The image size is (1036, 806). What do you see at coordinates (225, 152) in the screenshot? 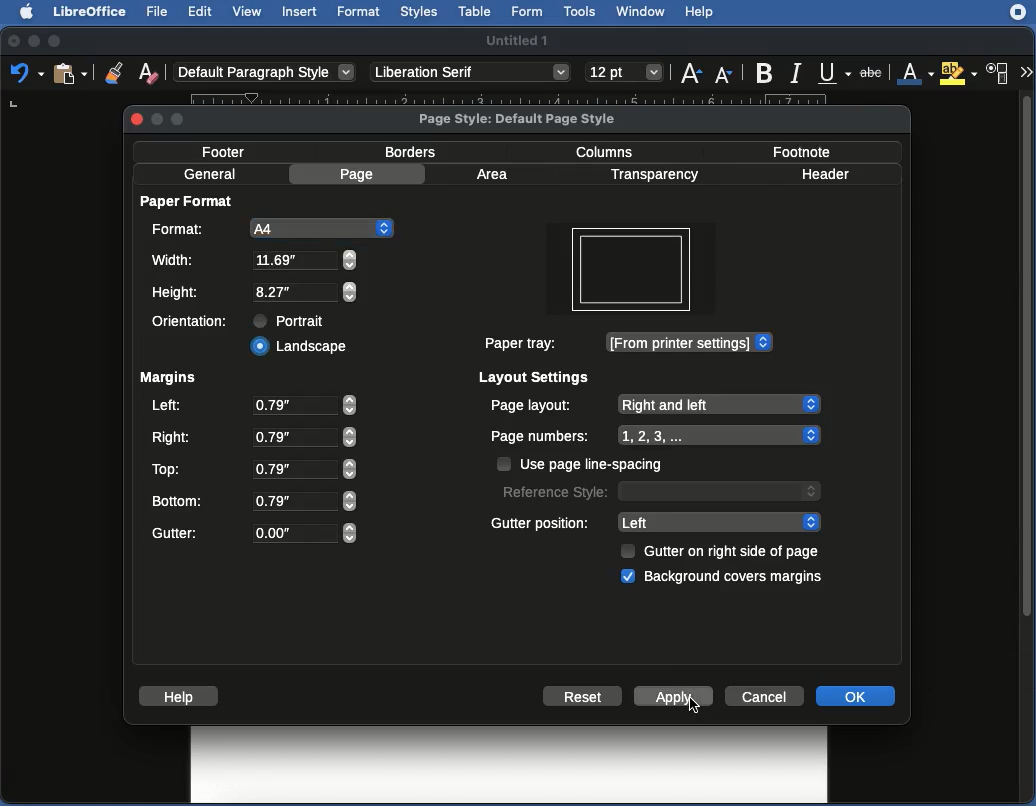
I see `Footer` at bounding box center [225, 152].